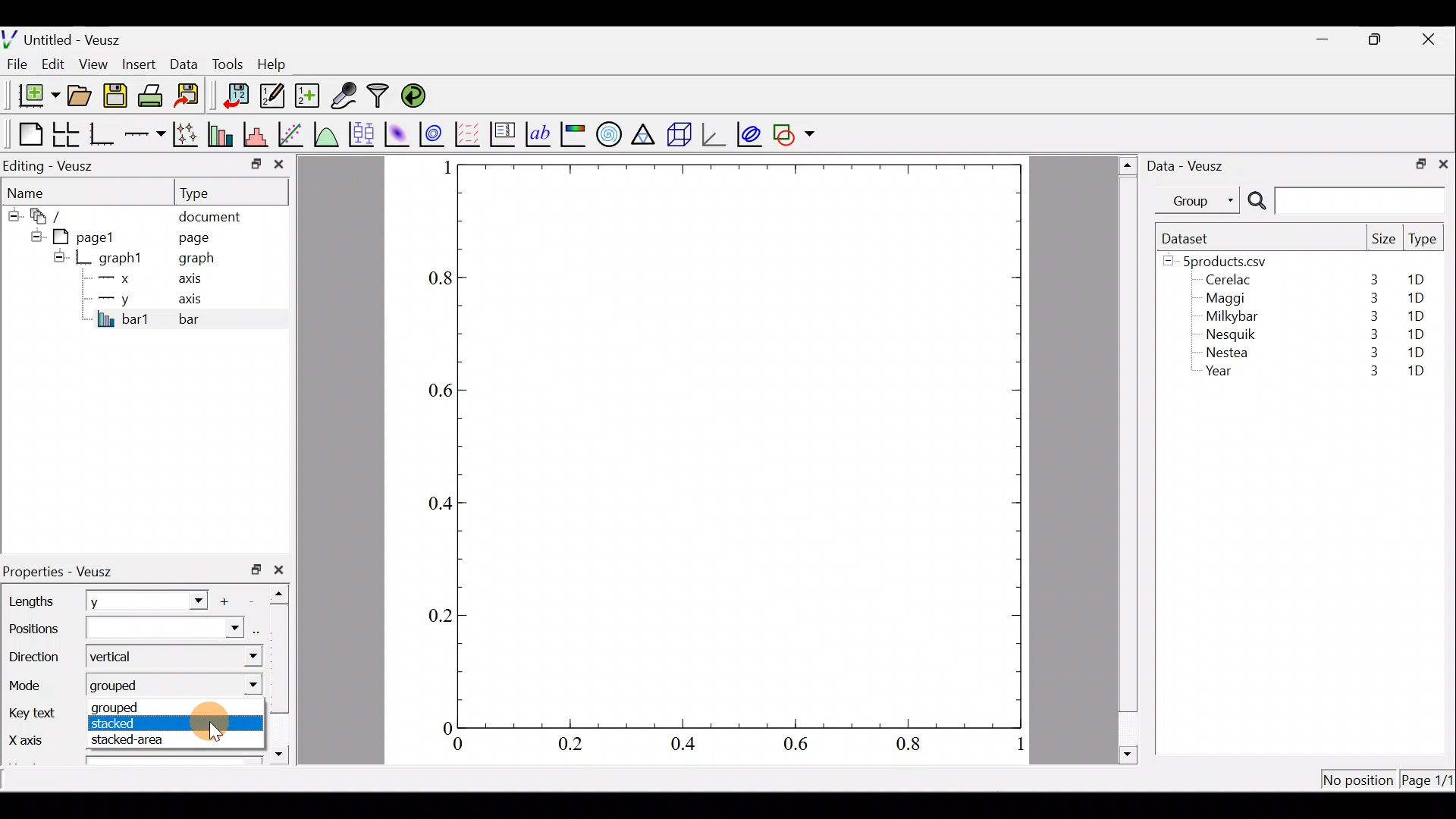 Image resolution: width=1456 pixels, height=819 pixels. I want to click on Print the document, so click(155, 95).